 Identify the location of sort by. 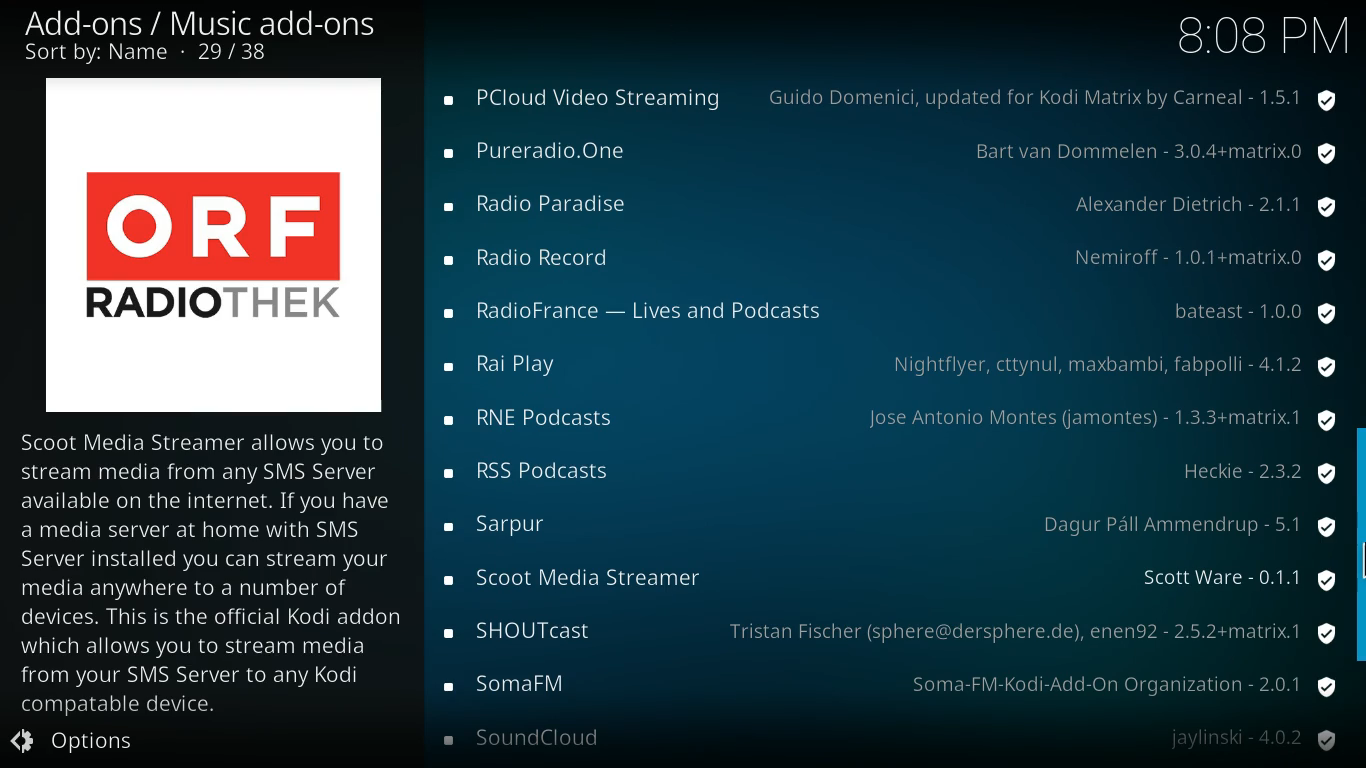
(153, 54).